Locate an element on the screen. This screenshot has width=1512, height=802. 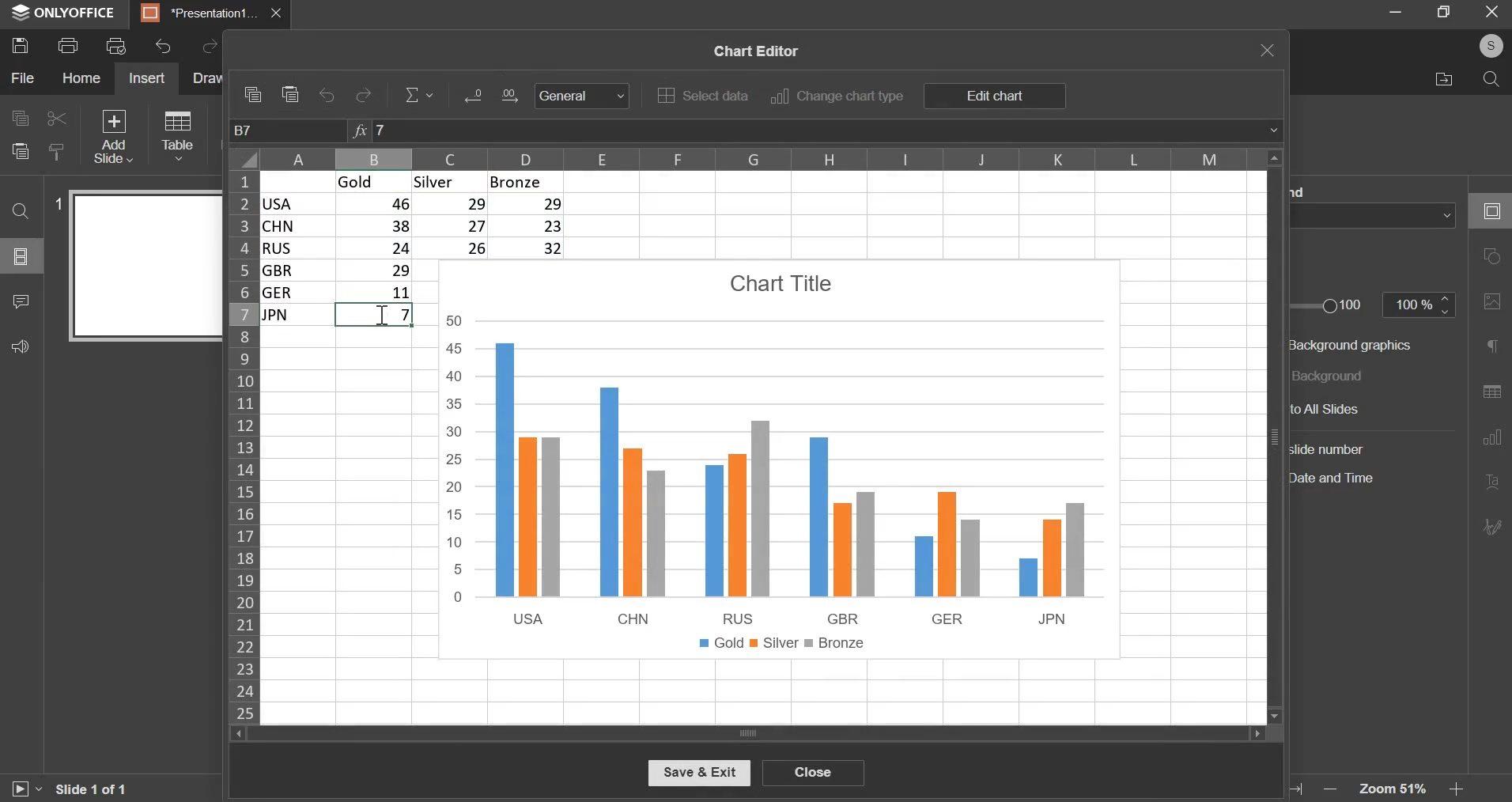
save & exit is located at coordinates (698, 772).